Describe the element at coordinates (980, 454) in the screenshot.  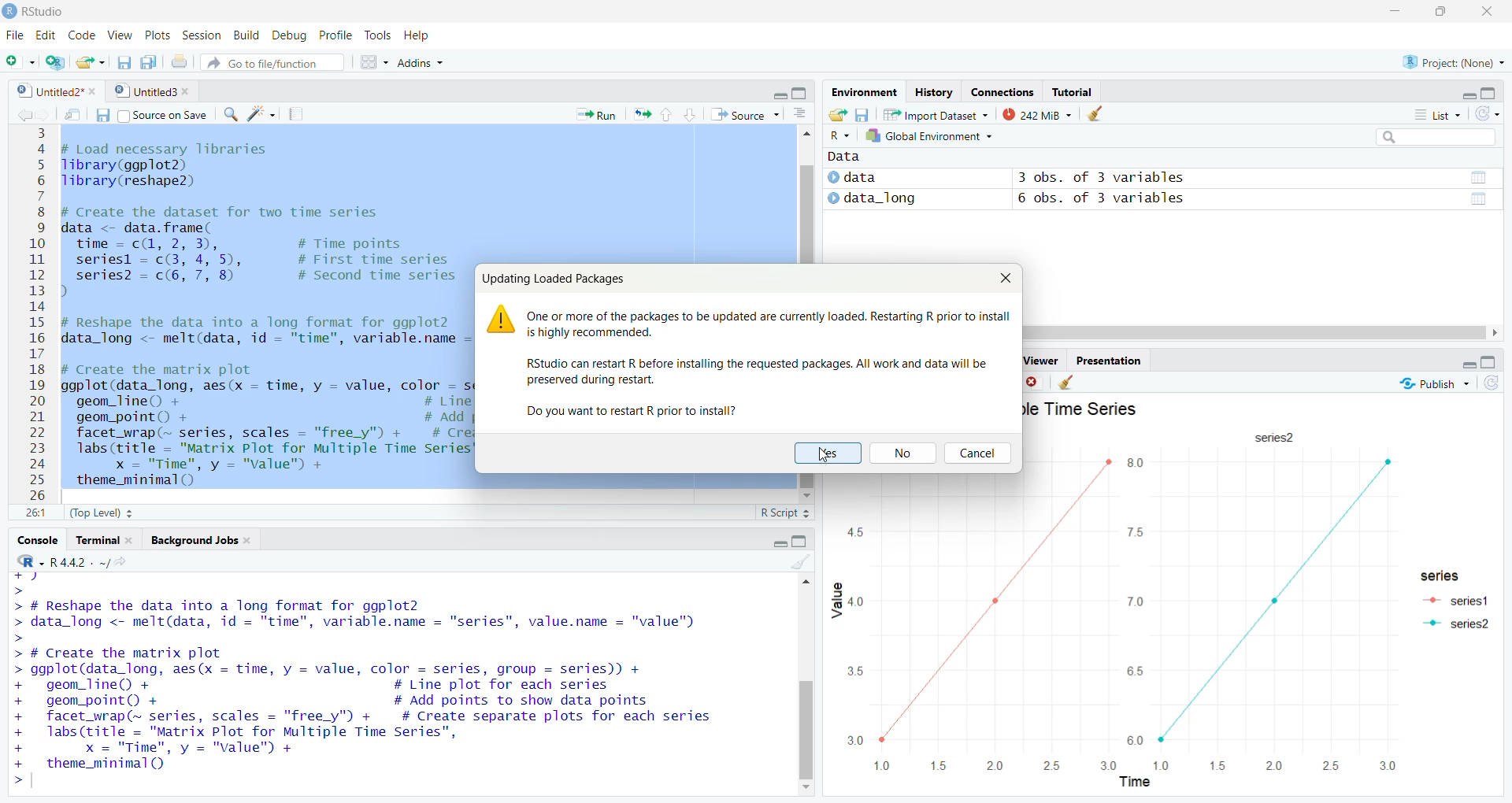
I see `Cancel` at that location.